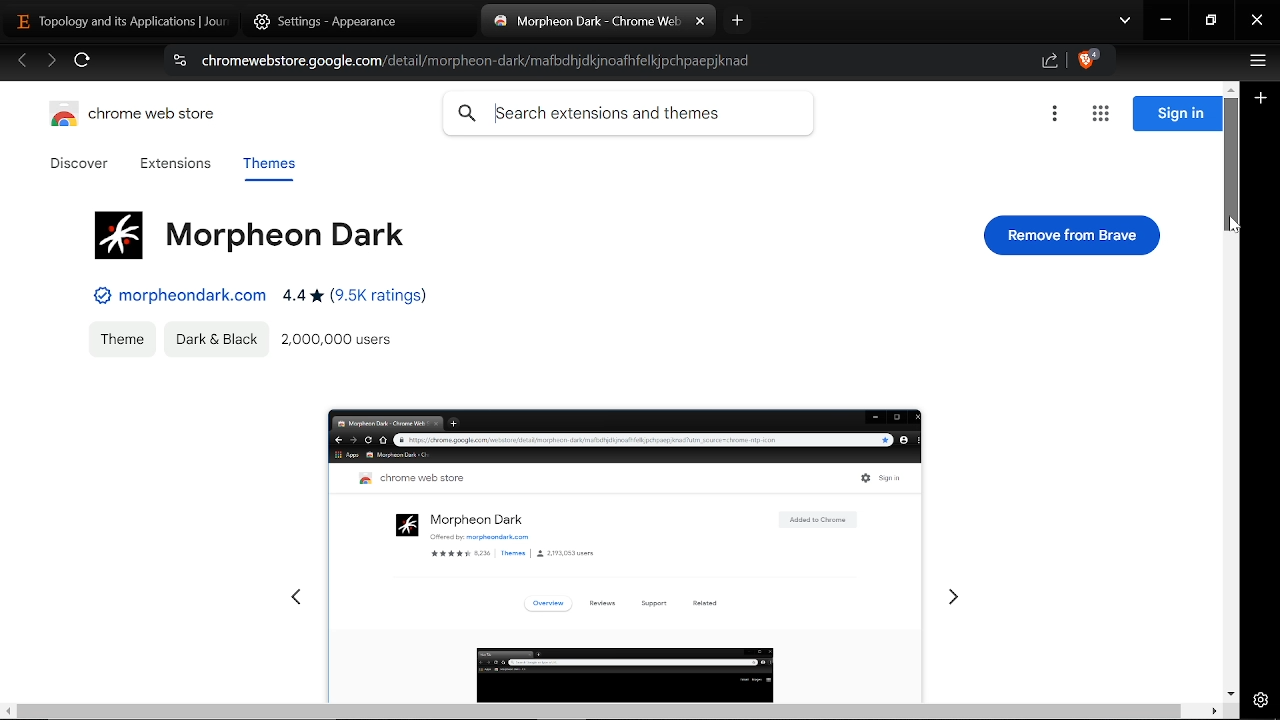 The height and width of the screenshot is (720, 1280). I want to click on Themes, so click(268, 167).